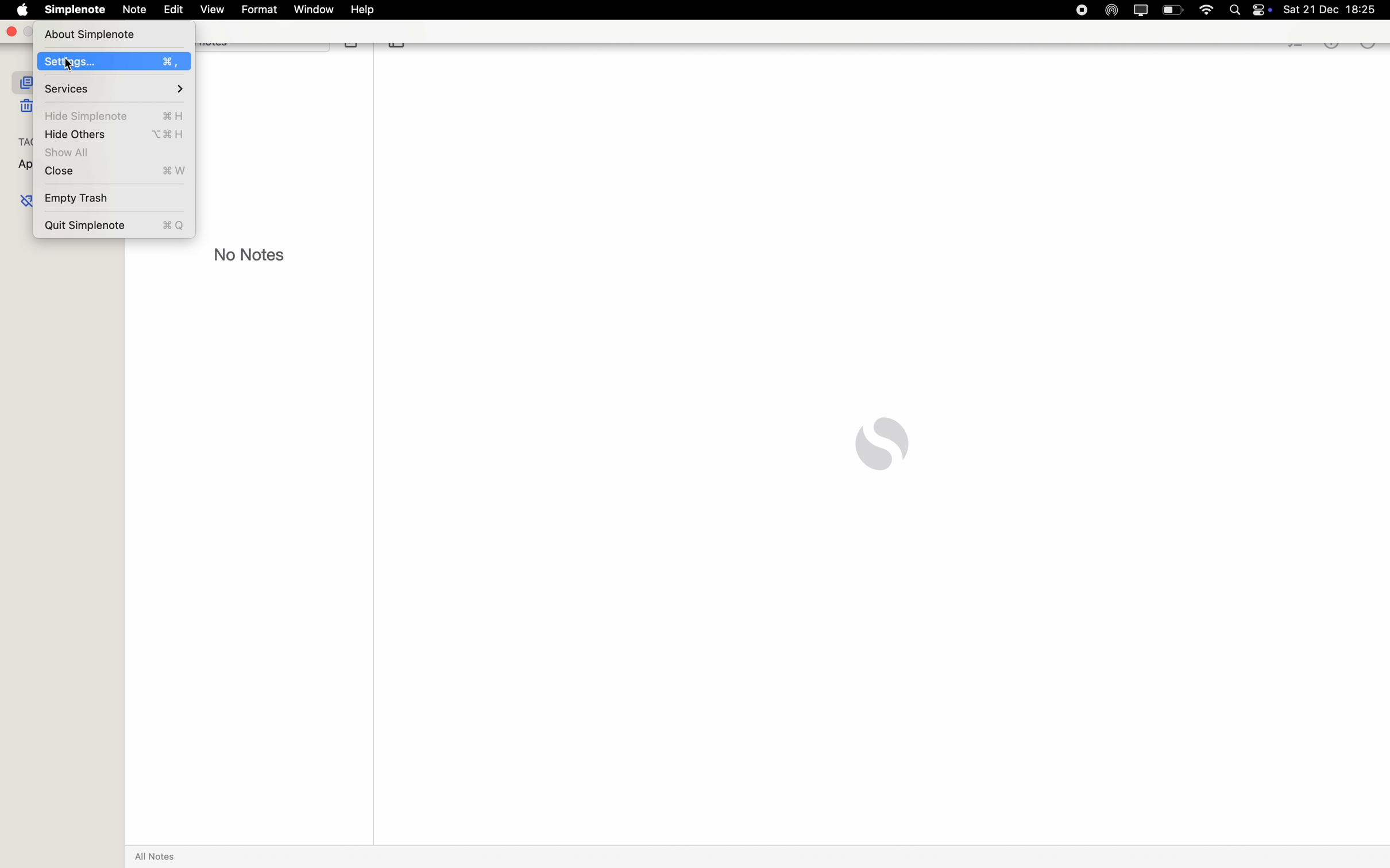 This screenshot has width=1390, height=868. Describe the element at coordinates (115, 88) in the screenshot. I see `services` at that location.